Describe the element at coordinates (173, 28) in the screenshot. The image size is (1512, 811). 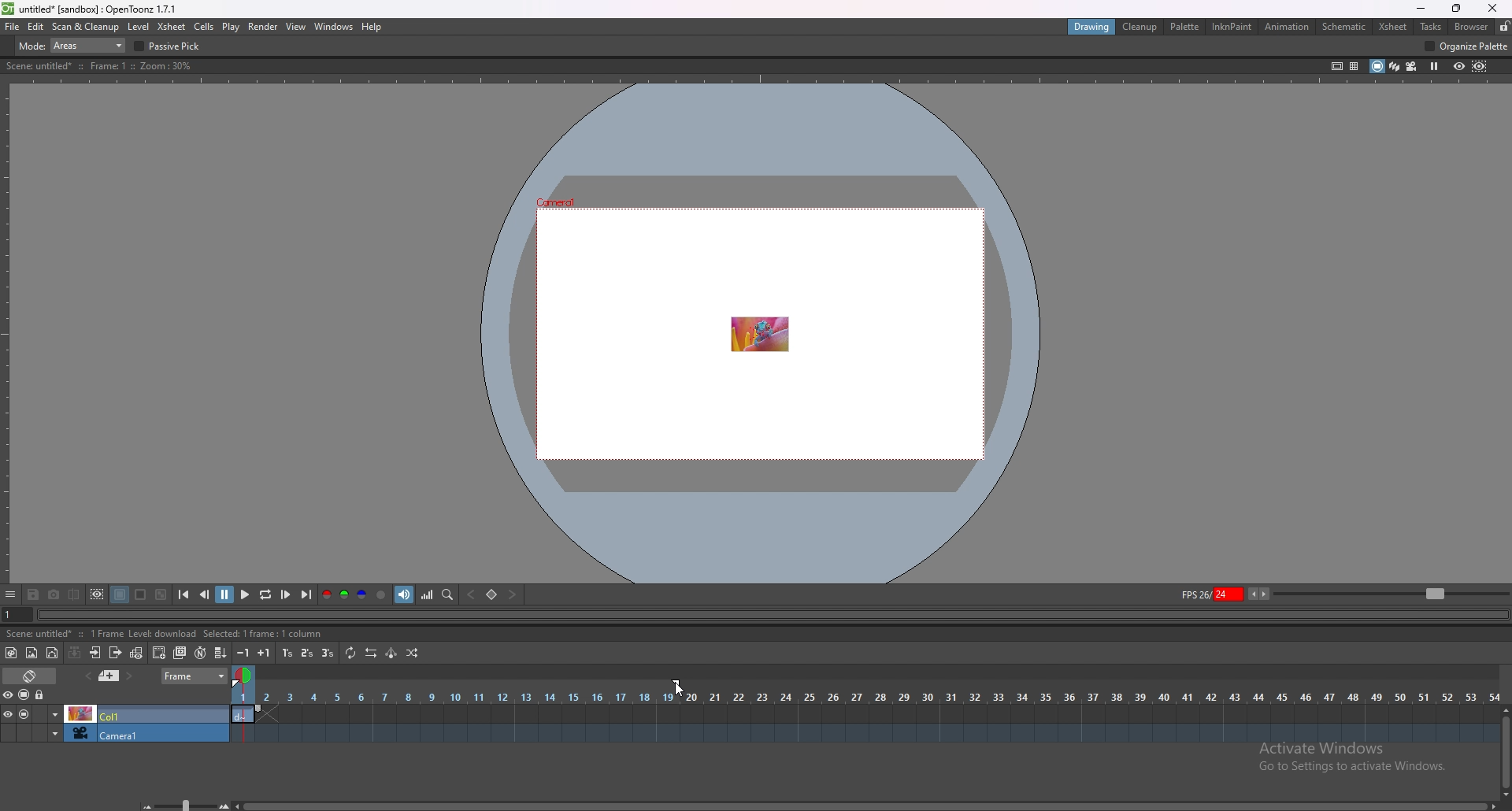
I see `xsheet` at that location.